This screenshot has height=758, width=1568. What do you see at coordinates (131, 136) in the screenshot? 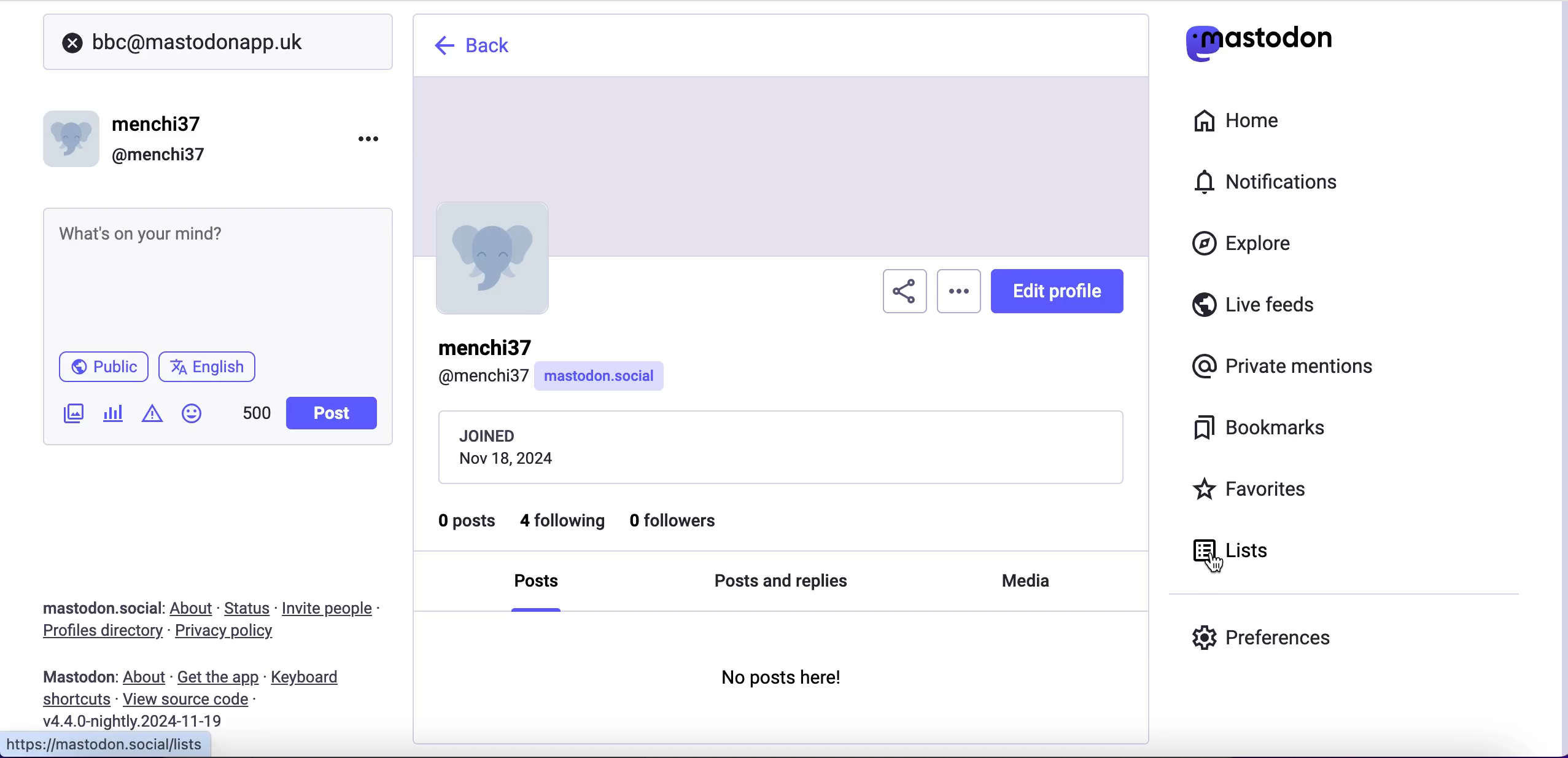
I see `user name` at bounding box center [131, 136].